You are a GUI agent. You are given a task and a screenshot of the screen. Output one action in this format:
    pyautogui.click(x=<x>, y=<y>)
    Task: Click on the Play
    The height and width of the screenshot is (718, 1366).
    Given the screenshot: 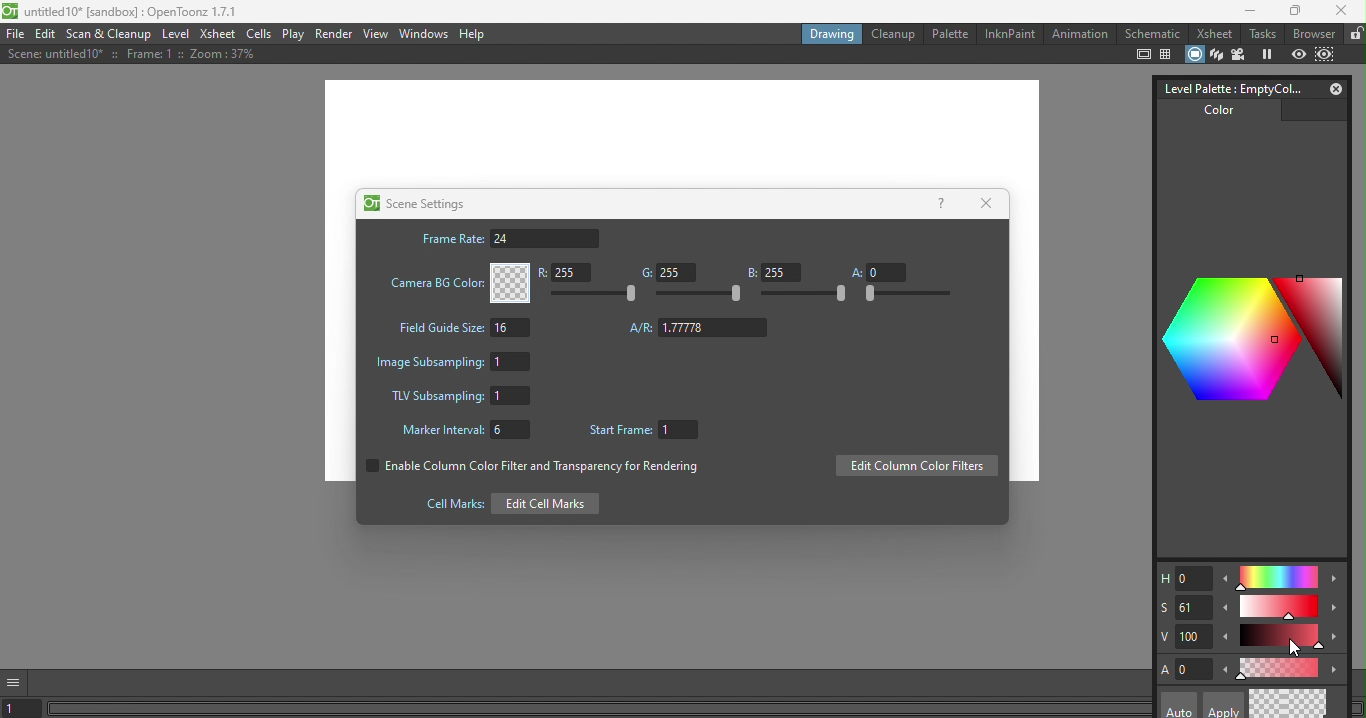 What is the action you would take?
    pyautogui.click(x=294, y=34)
    